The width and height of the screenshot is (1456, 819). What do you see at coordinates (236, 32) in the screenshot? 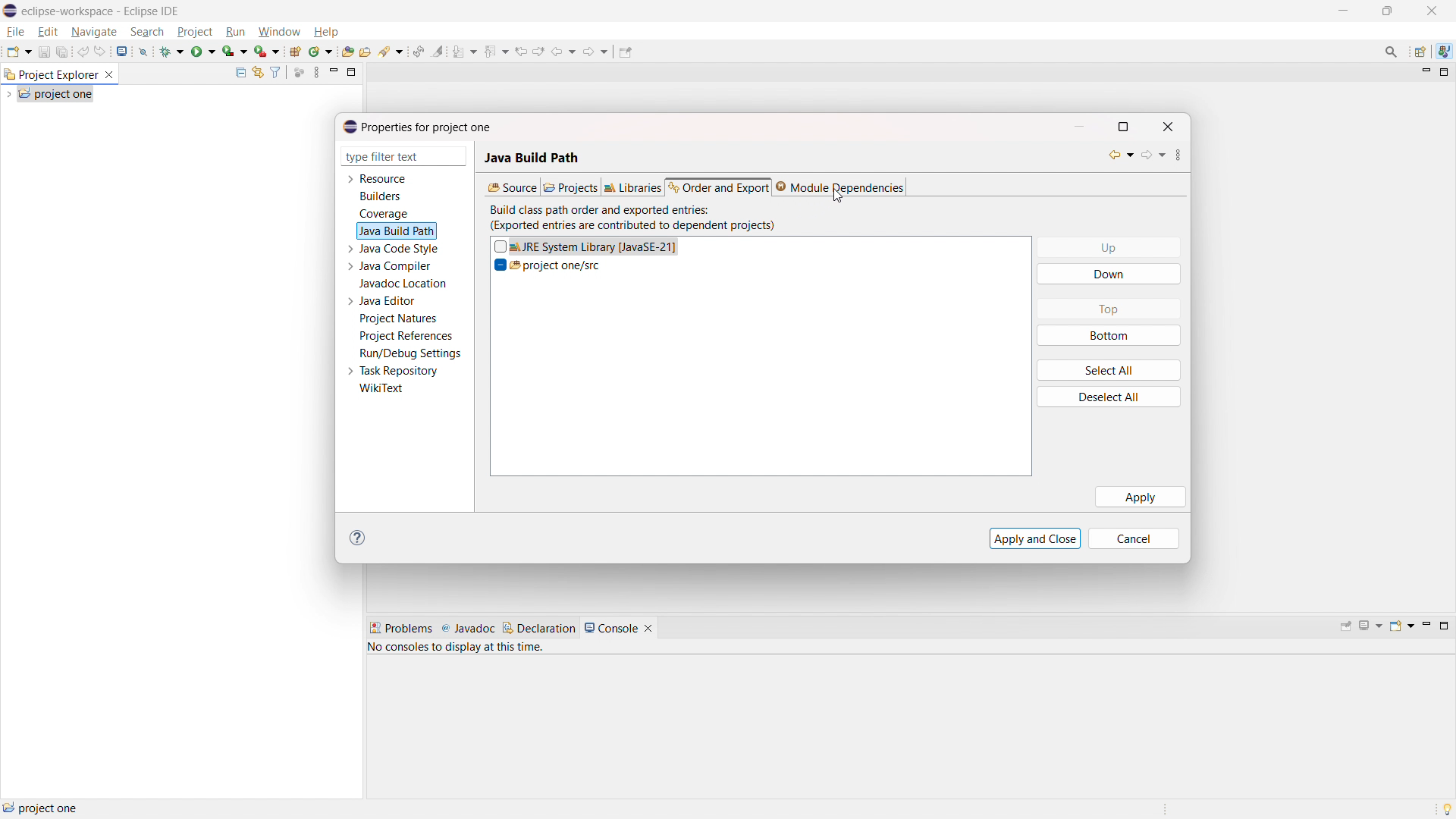
I see `run` at bounding box center [236, 32].